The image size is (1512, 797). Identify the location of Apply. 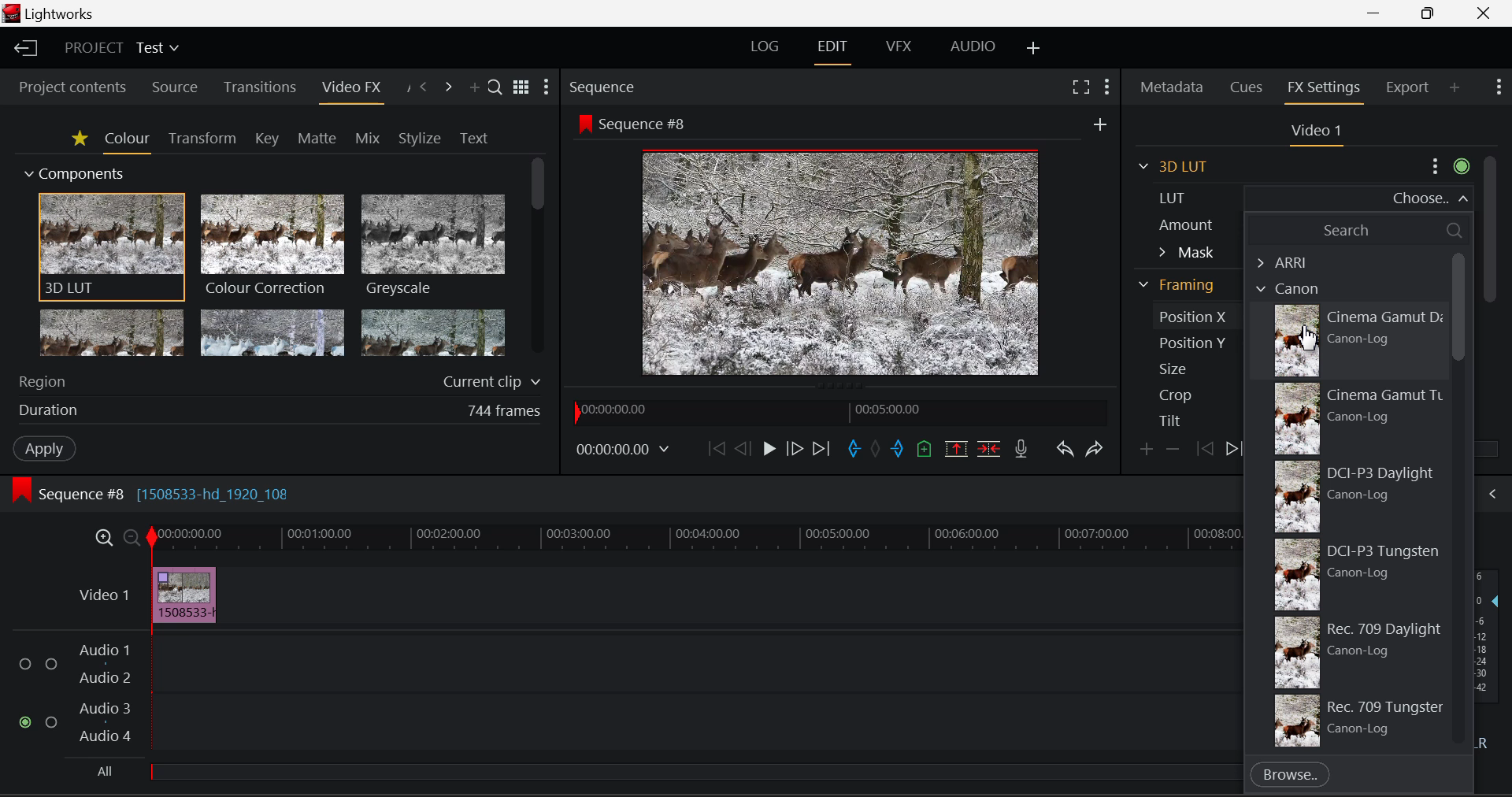
(42, 449).